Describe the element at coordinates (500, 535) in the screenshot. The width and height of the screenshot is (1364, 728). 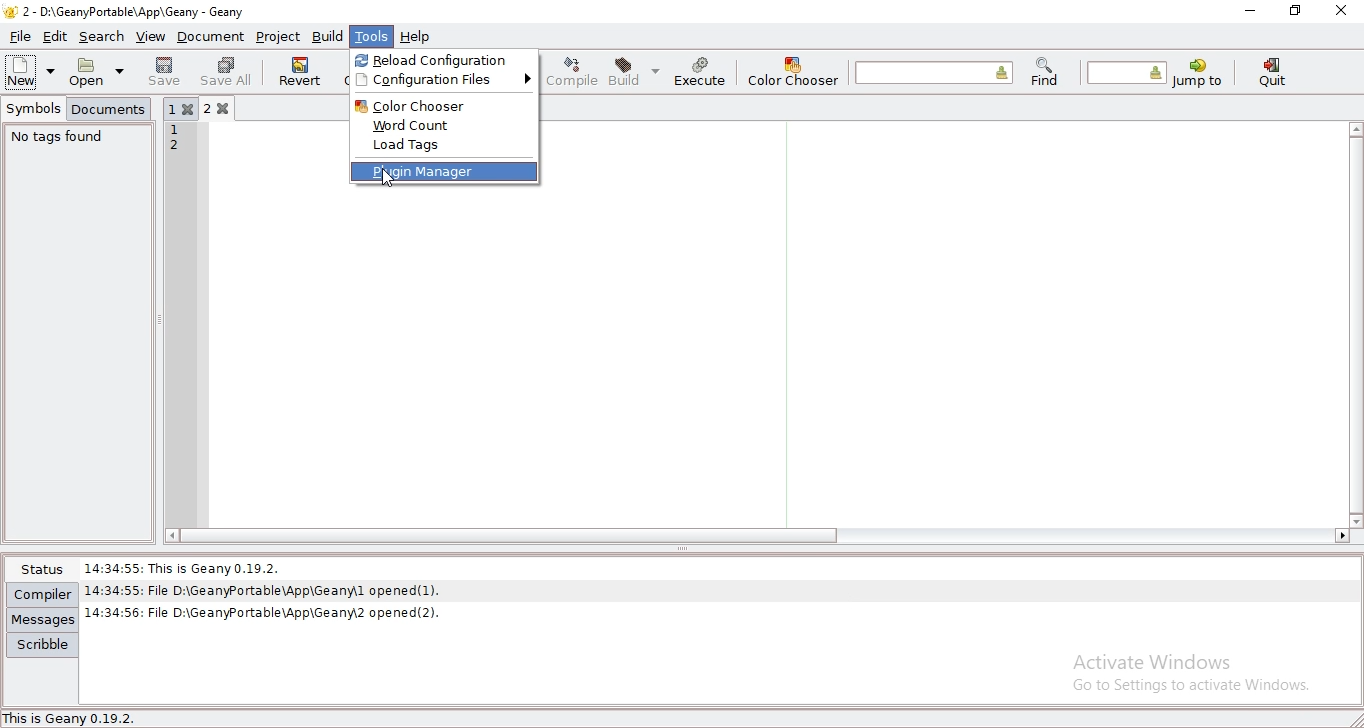
I see `scroll bar` at that location.